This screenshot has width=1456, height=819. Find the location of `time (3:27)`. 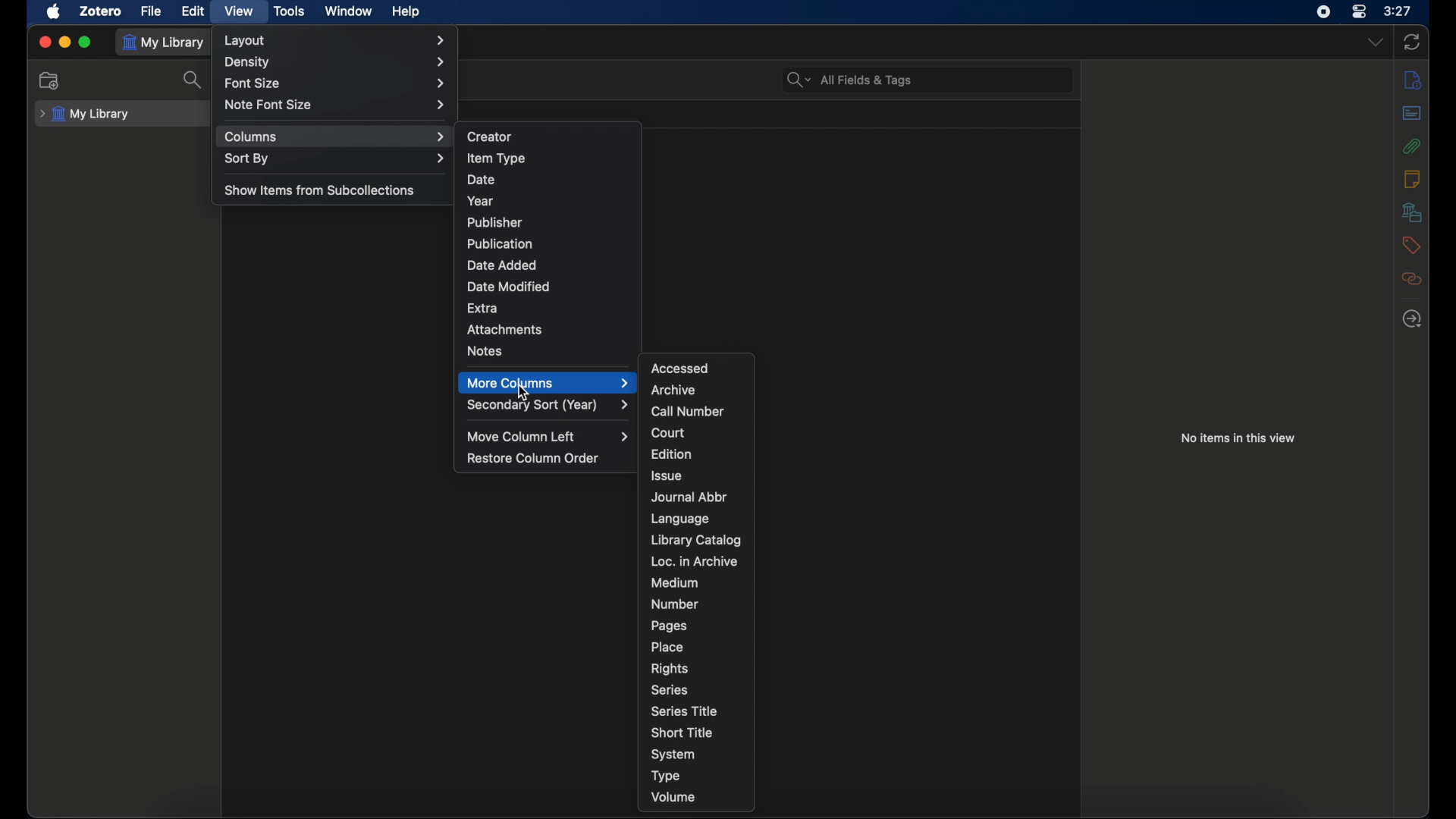

time (3:27) is located at coordinates (1398, 10).